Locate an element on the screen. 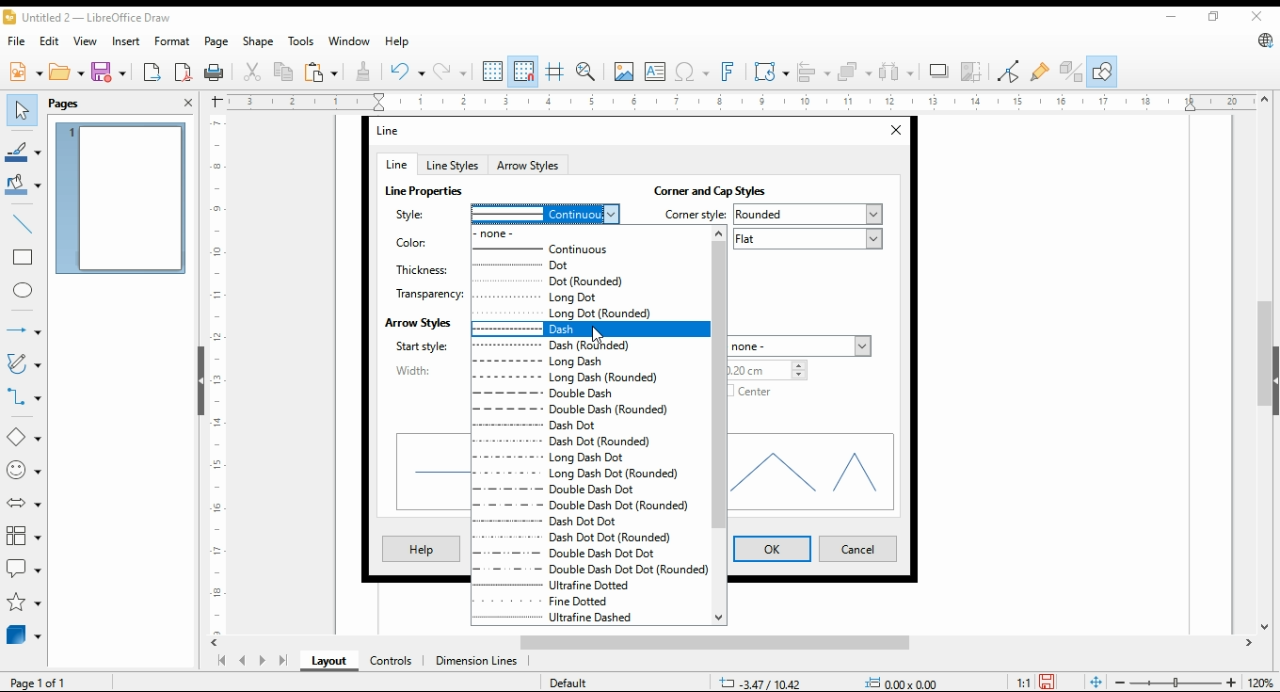 The image size is (1280, 692). rectangle is located at coordinates (22, 256).